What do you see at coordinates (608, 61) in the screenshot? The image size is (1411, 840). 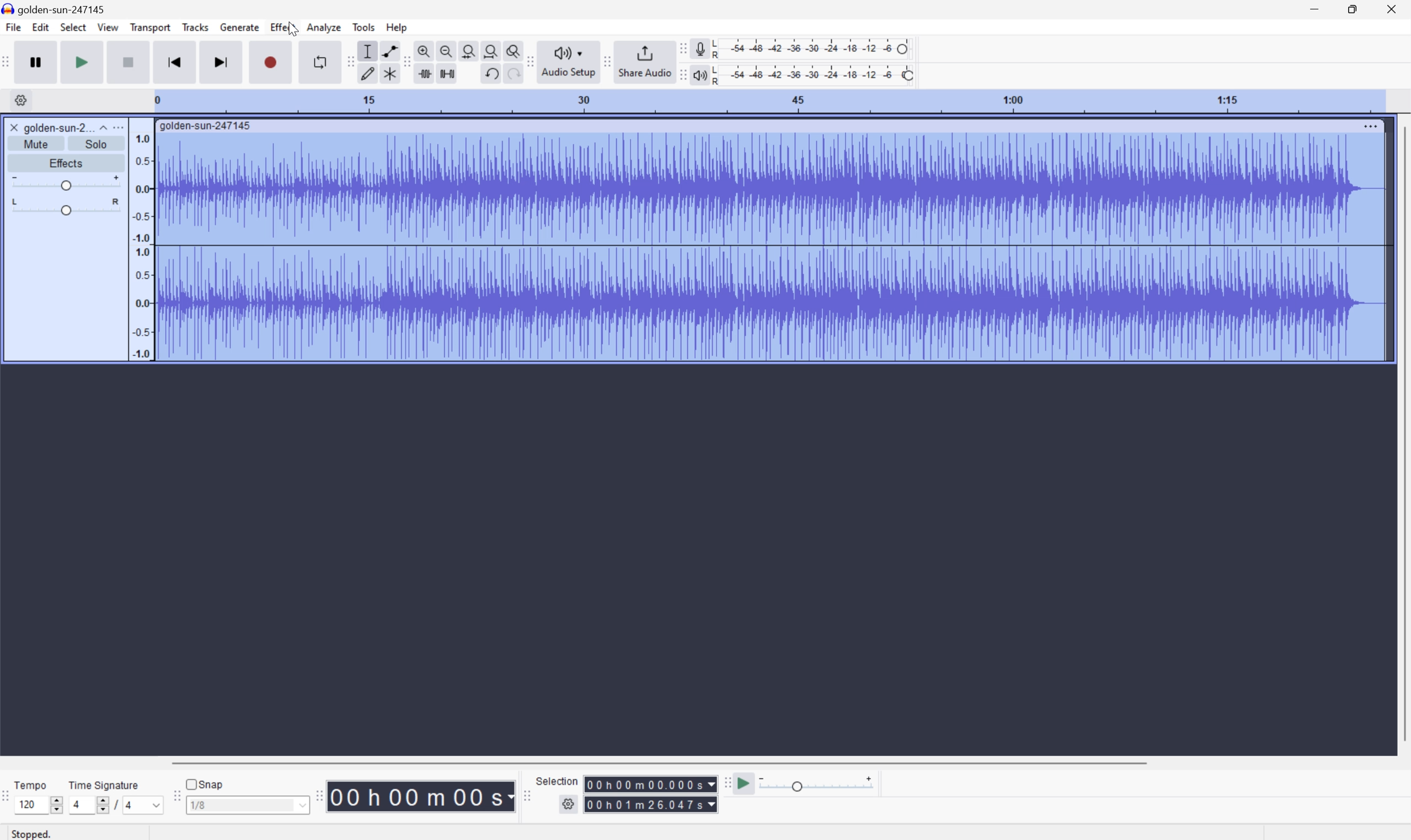 I see `Audacity share audio toolbar` at bounding box center [608, 61].